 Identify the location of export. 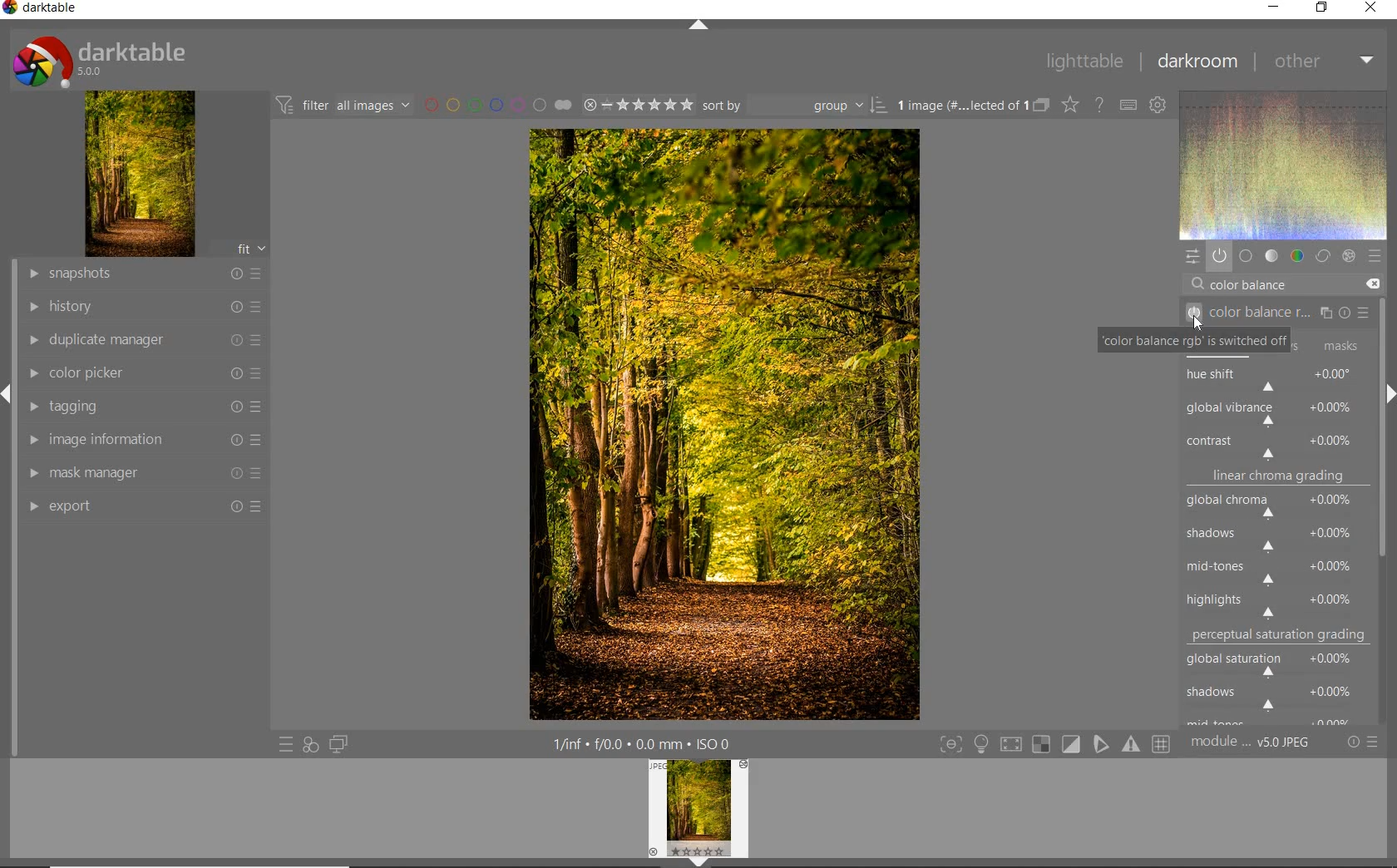
(146, 506).